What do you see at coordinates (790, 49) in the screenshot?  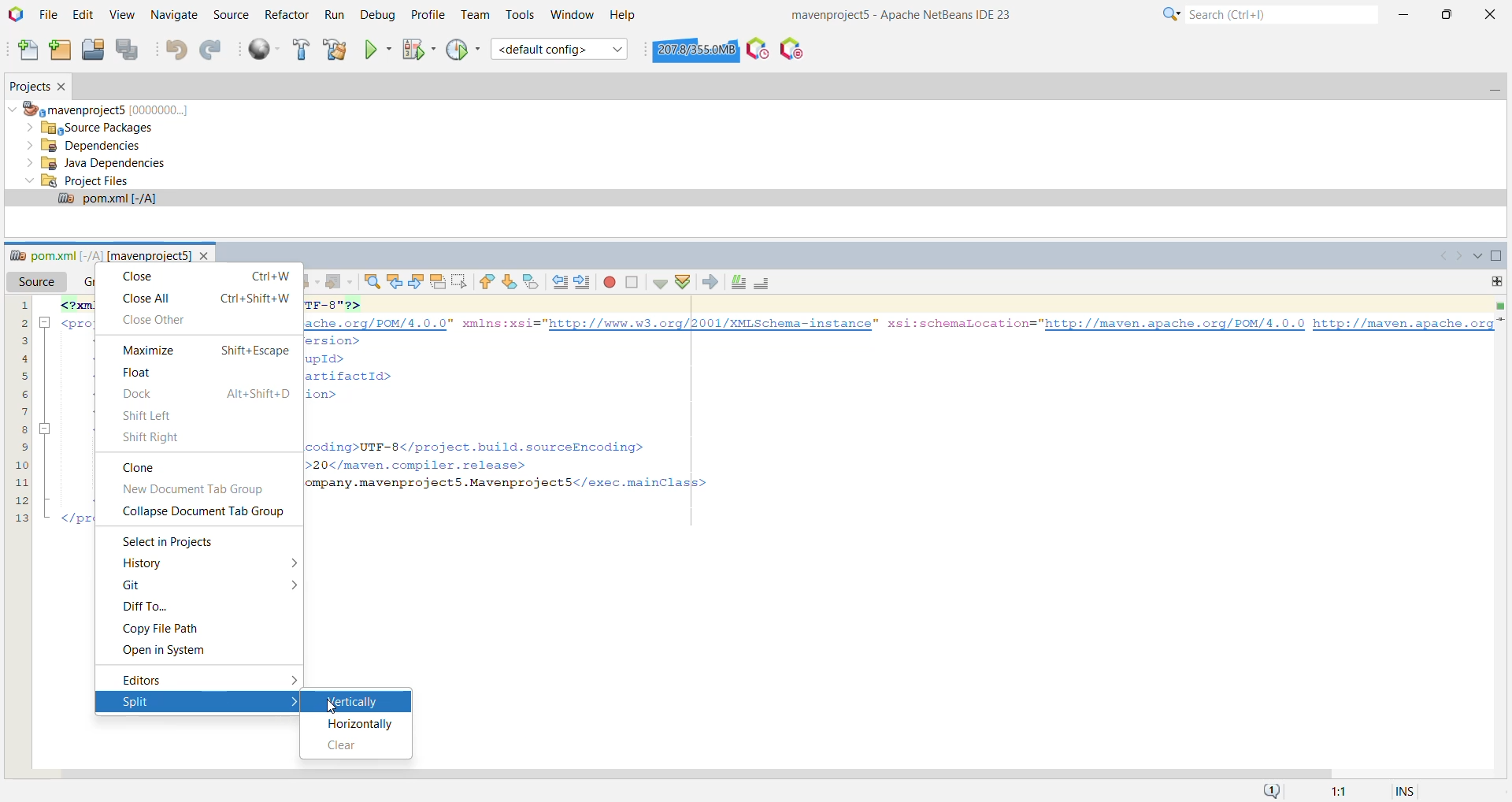 I see `Pause I/O Checks` at bounding box center [790, 49].